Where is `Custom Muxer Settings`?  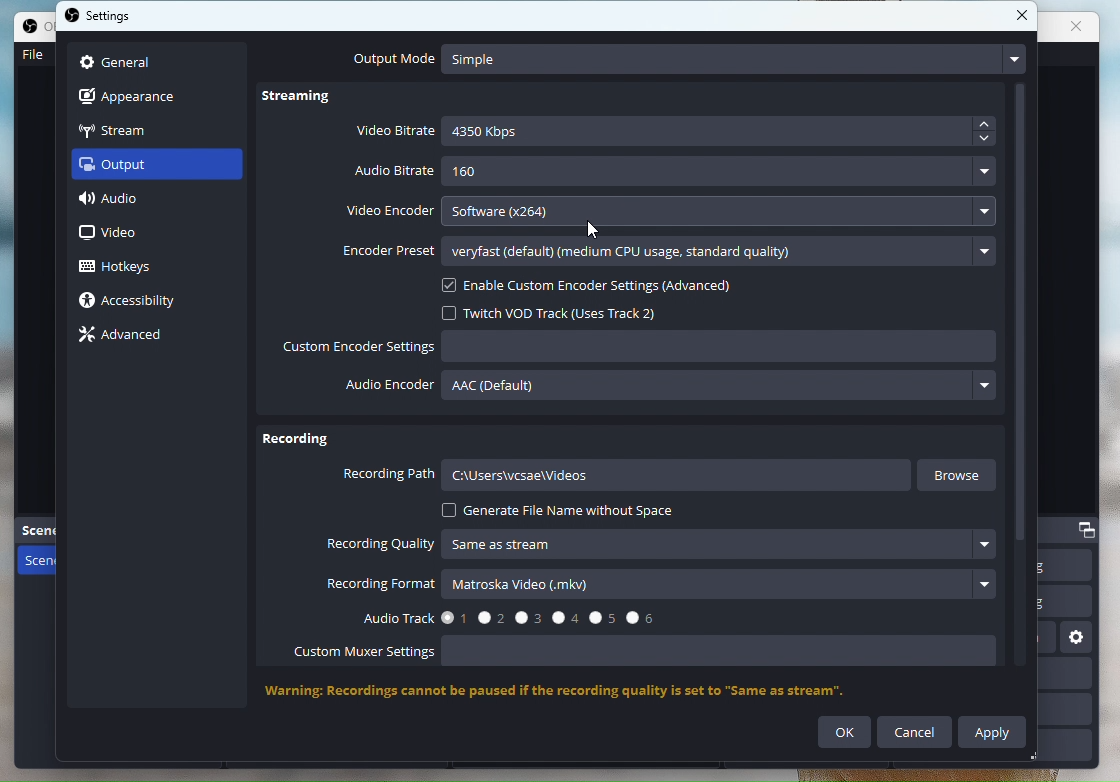
Custom Muxer Settings is located at coordinates (655, 654).